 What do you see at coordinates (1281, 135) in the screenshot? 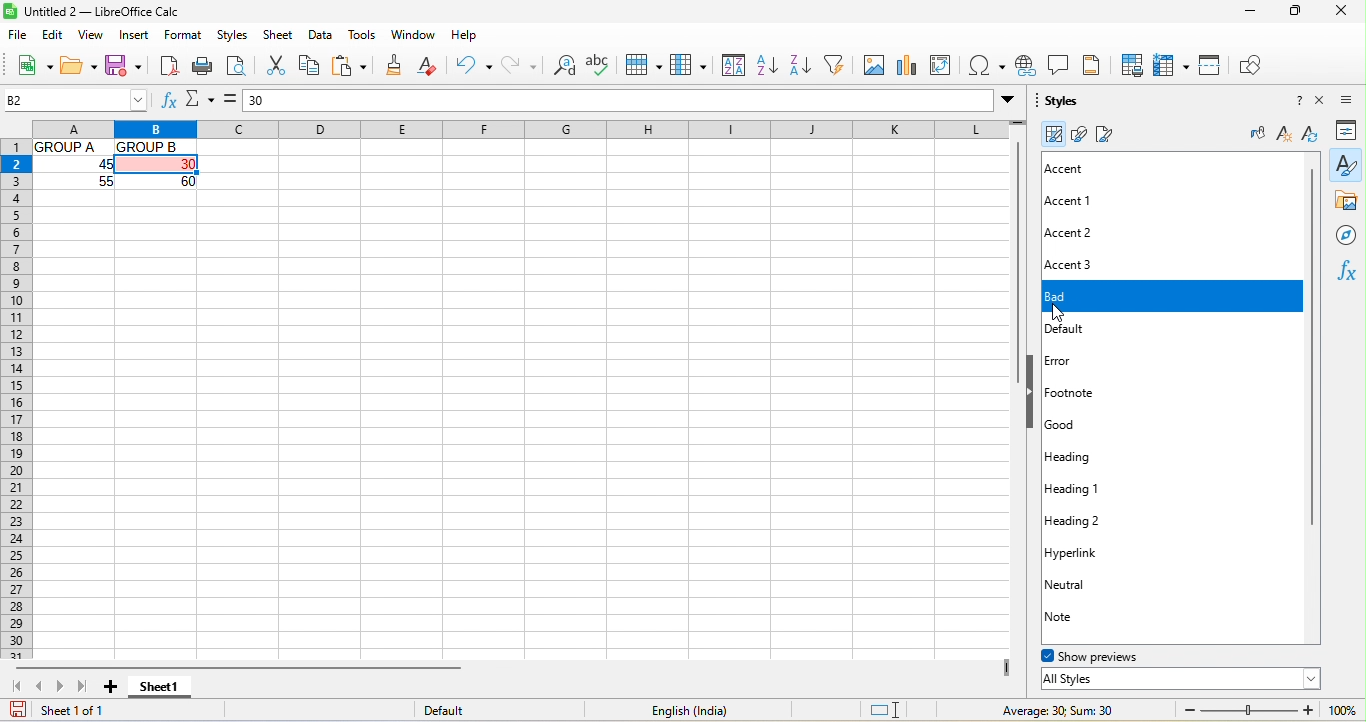
I see `new style` at bounding box center [1281, 135].